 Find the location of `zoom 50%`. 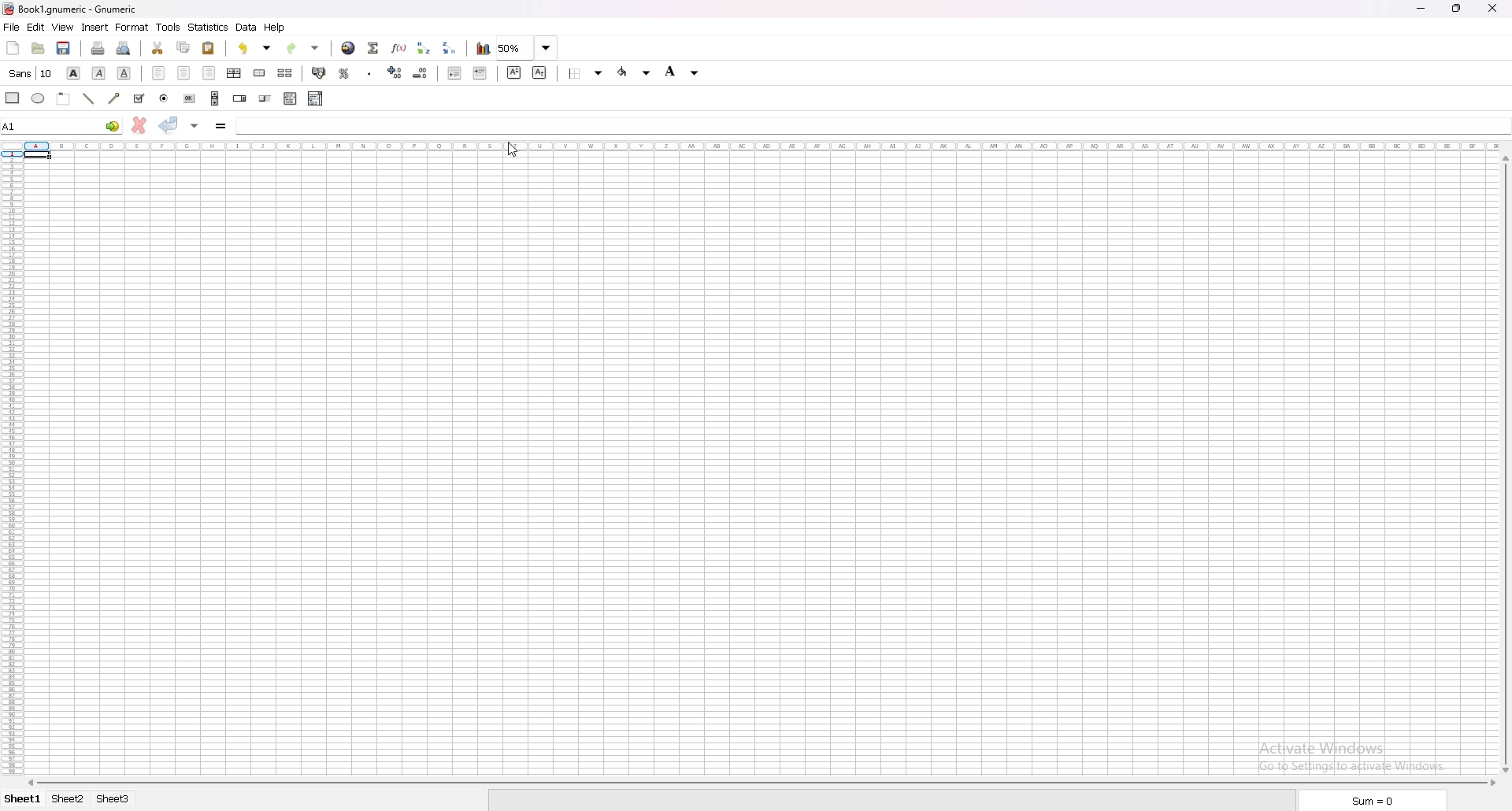

zoom 50% is located at coordinates (510, 48).